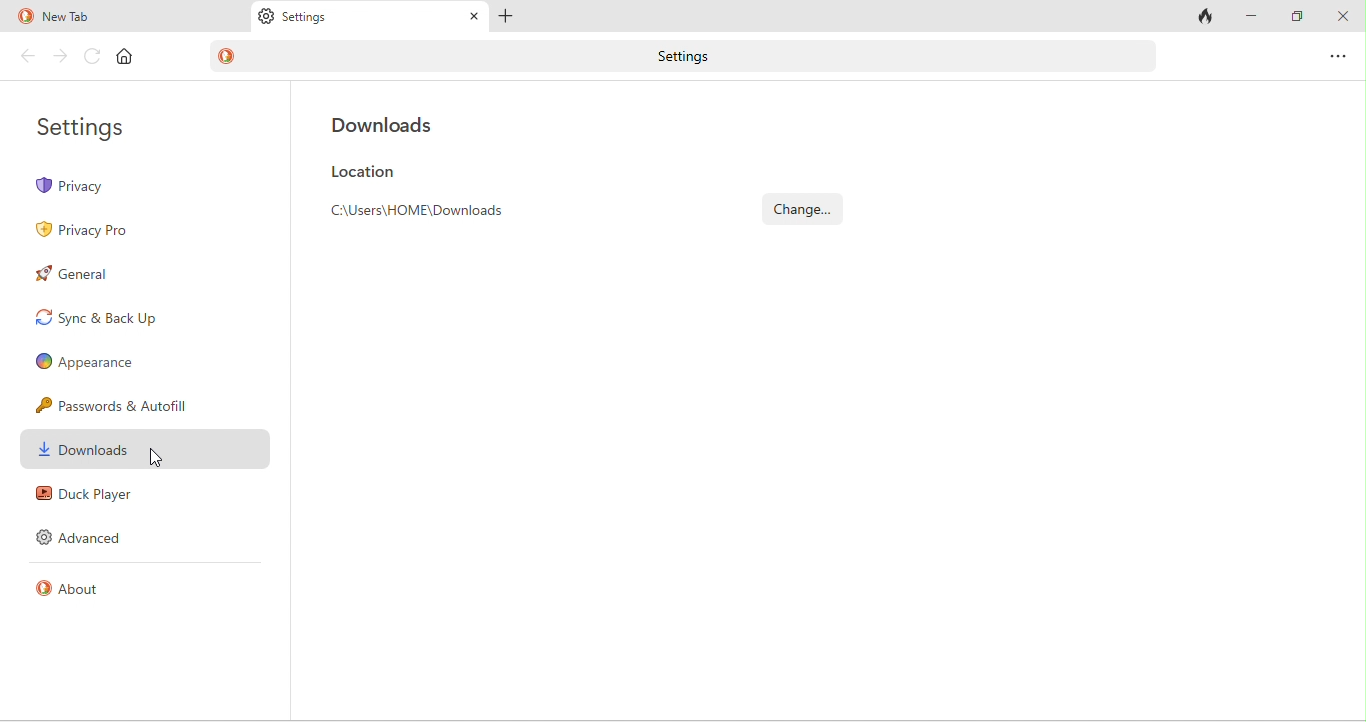 The image size is (1366, 722). What do you see at coordinates (1339, 62) in the screenshot?
I see `option` at bounding box center [1339, 62].